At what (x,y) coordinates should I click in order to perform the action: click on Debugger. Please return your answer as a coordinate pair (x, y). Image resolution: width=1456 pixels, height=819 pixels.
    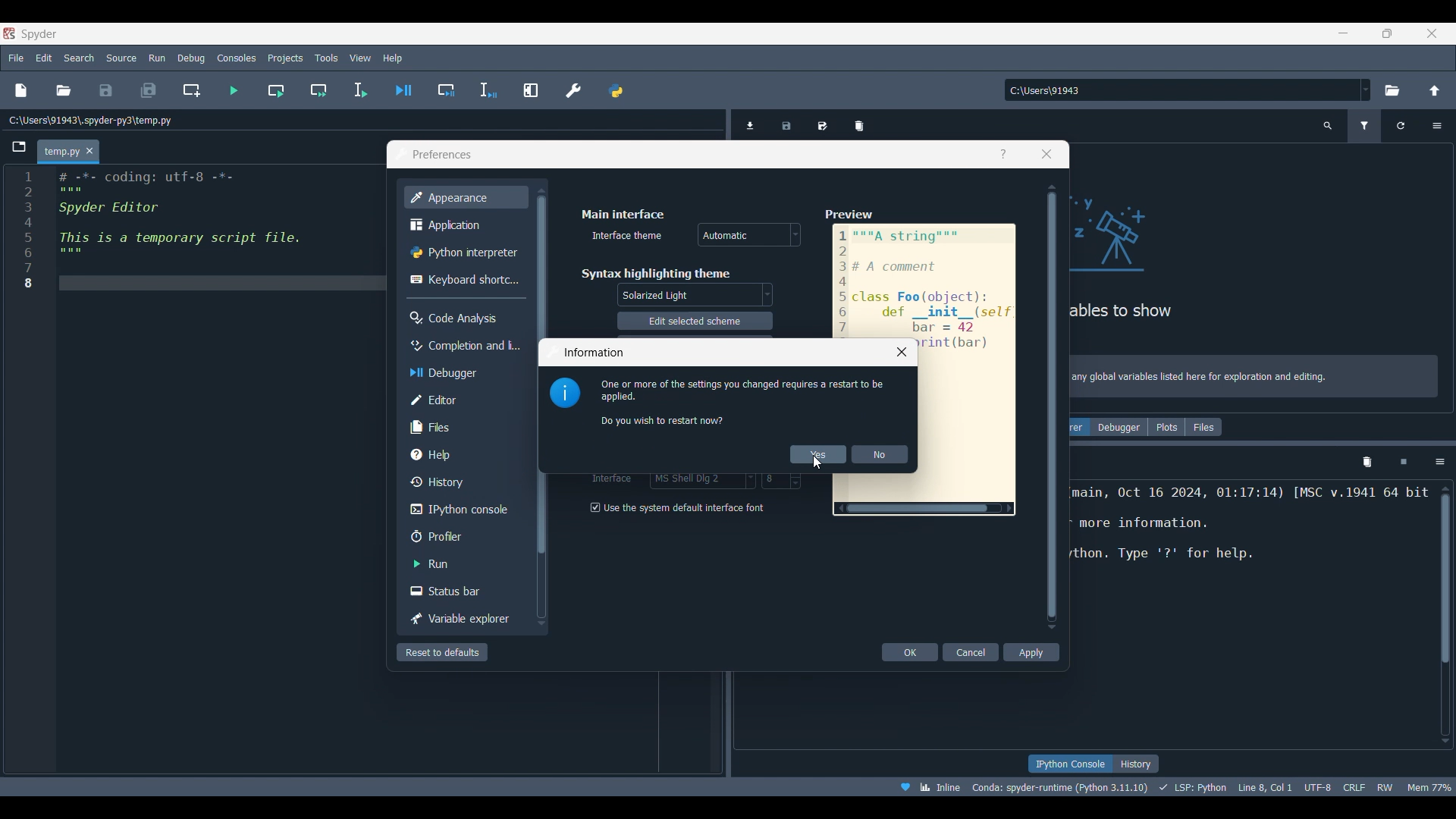
    Looking at the image, I should click on (464, 373).